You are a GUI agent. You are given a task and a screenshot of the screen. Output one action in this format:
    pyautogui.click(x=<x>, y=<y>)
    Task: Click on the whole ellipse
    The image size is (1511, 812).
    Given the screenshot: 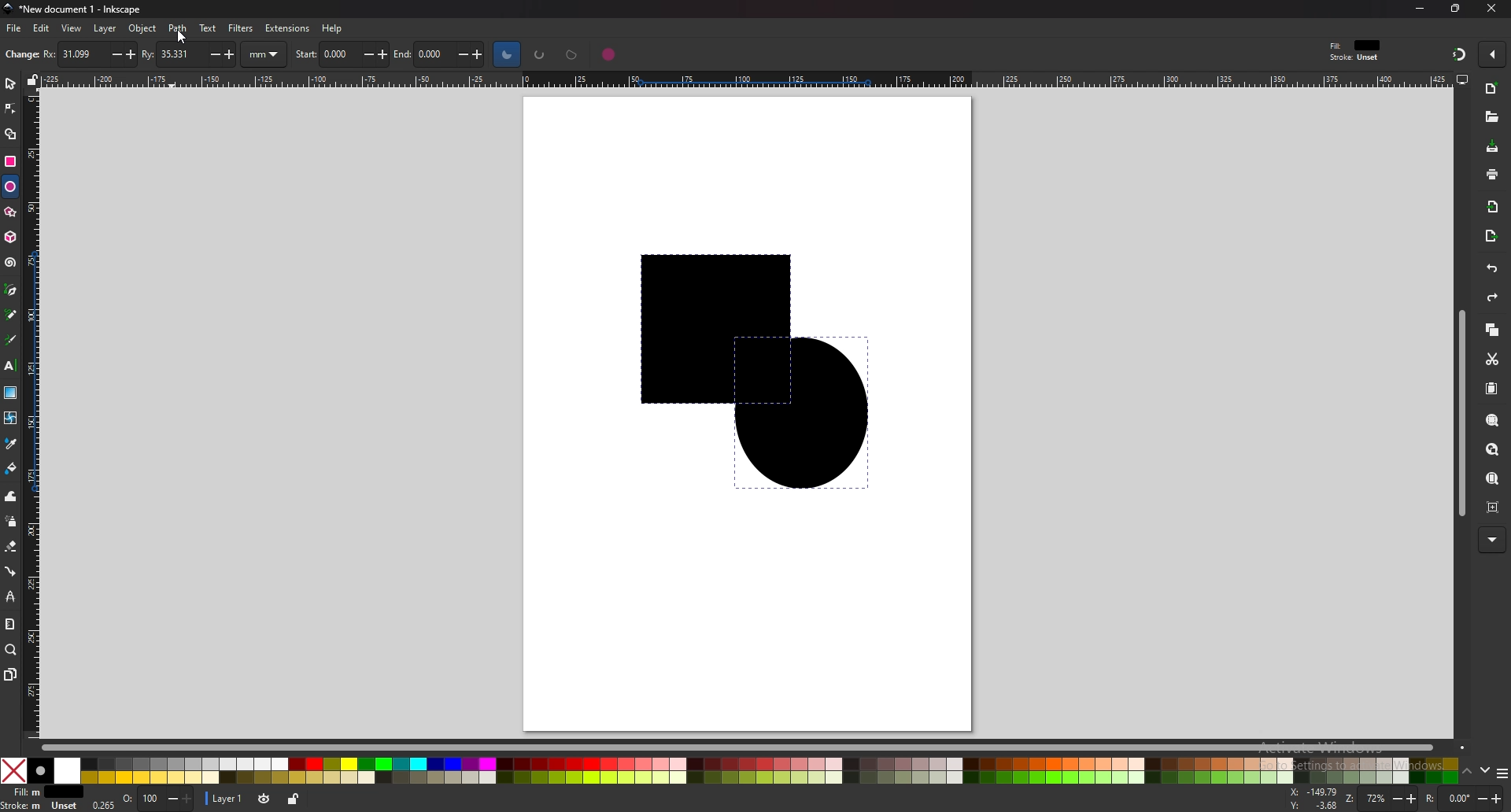 What is the action you would take?
    pyautogui.click(x=609, y=54)
    